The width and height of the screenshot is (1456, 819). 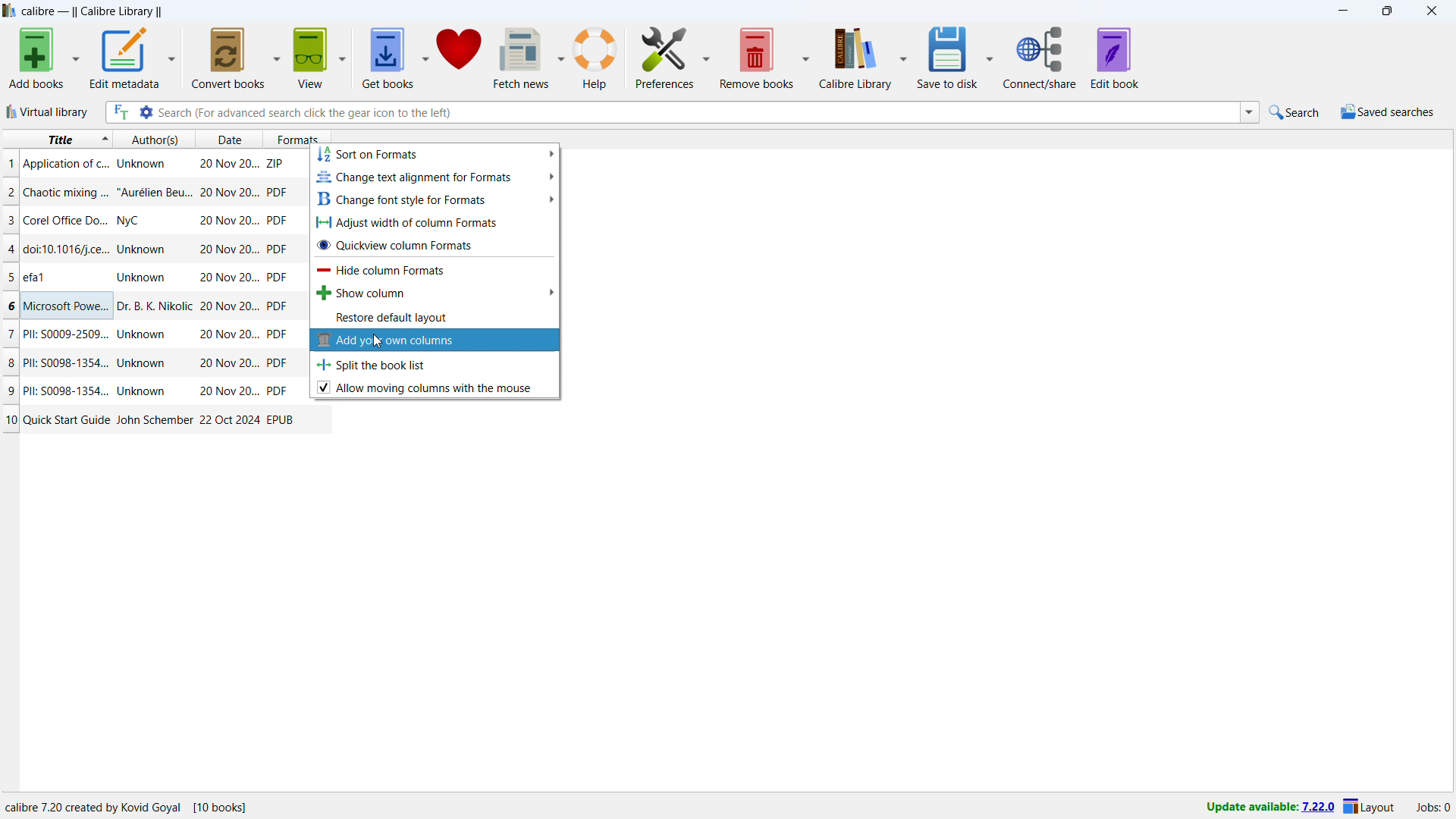 I want to click on formats, so click(x=296, y=138).